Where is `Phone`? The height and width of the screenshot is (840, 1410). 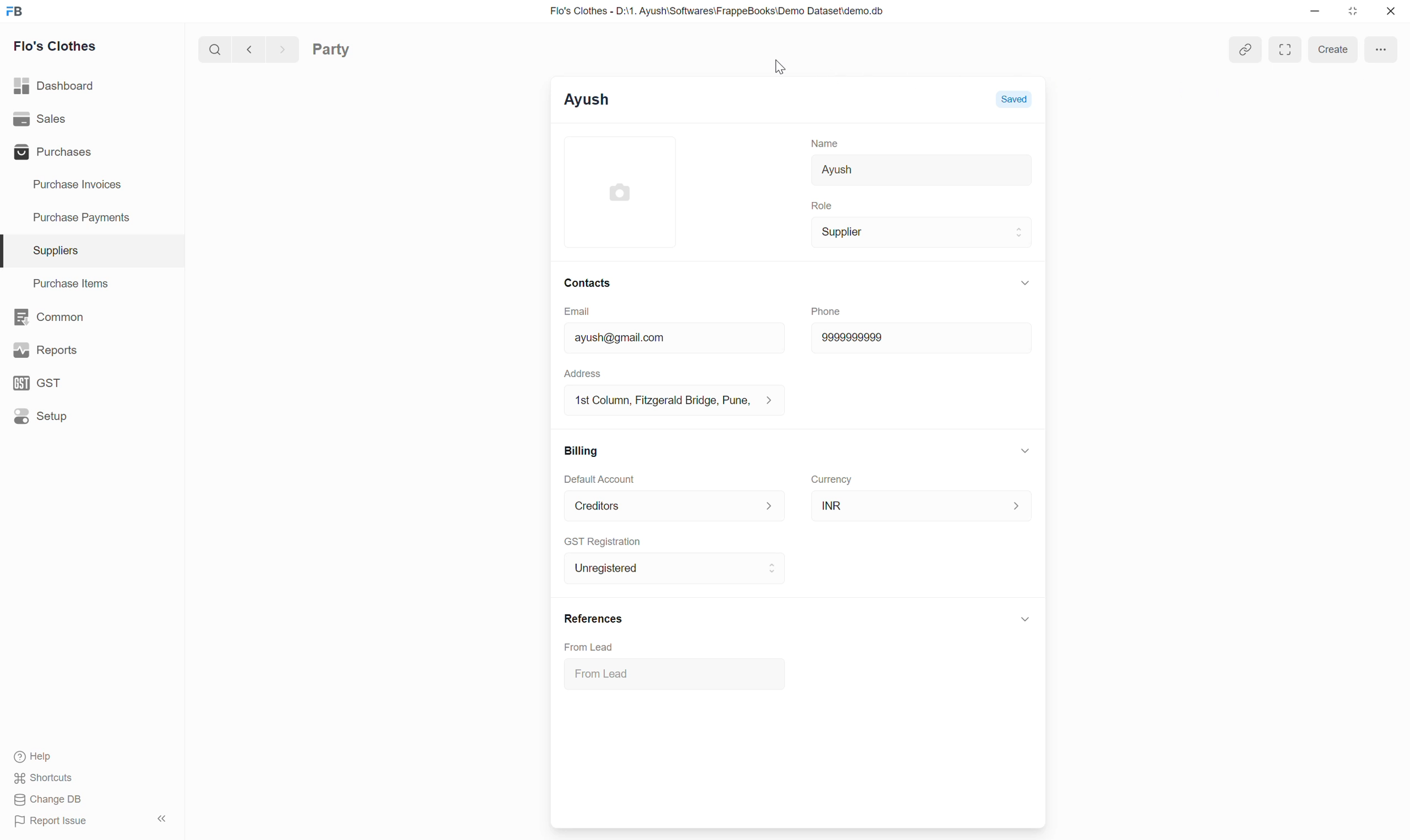
Phone is located at coordinates (826, 311).